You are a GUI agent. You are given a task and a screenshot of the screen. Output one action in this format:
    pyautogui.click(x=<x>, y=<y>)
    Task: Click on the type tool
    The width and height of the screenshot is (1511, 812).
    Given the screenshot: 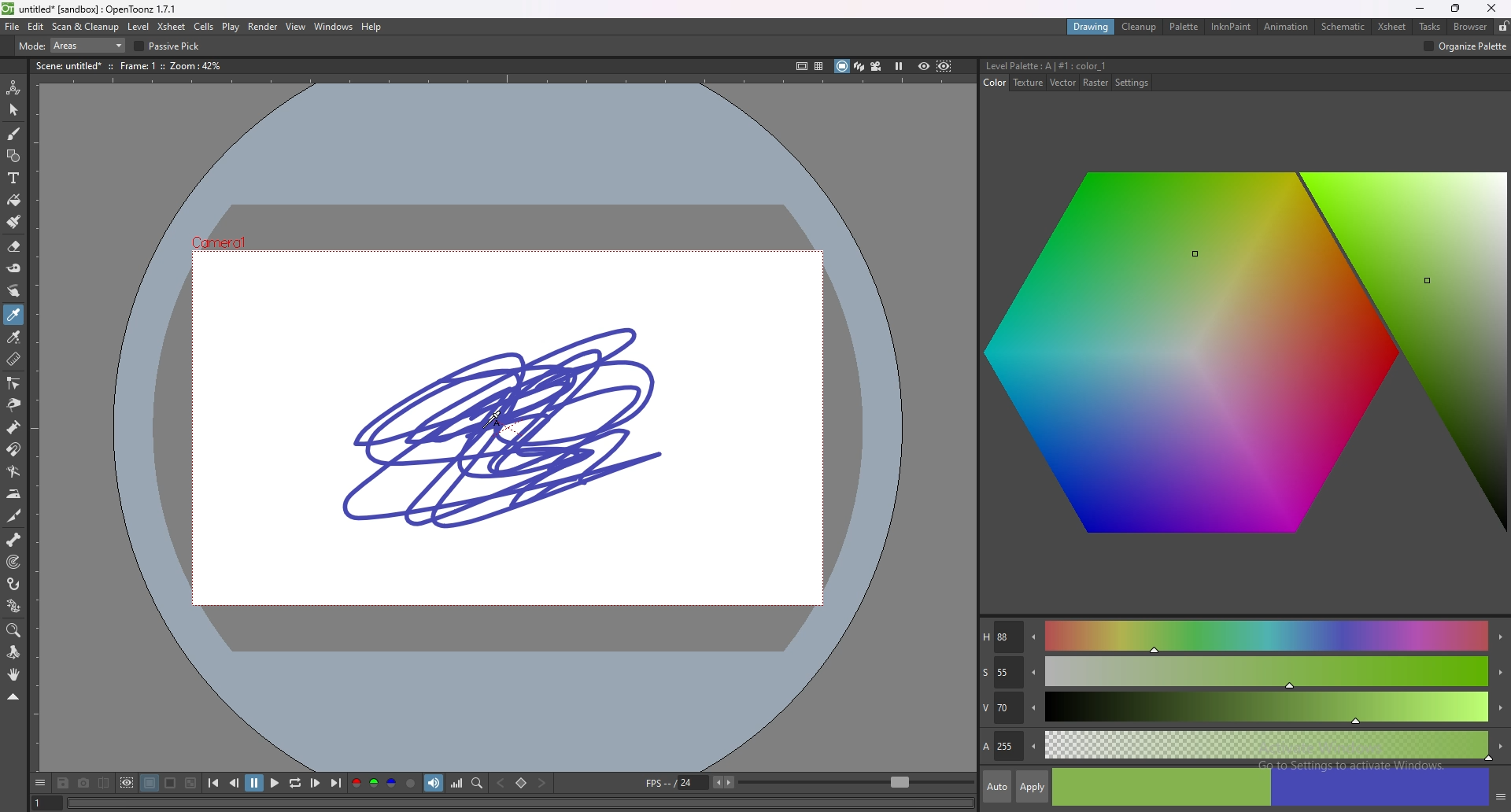 What is the action you would take?
    pyautogui.click(x=13, y=177)
    